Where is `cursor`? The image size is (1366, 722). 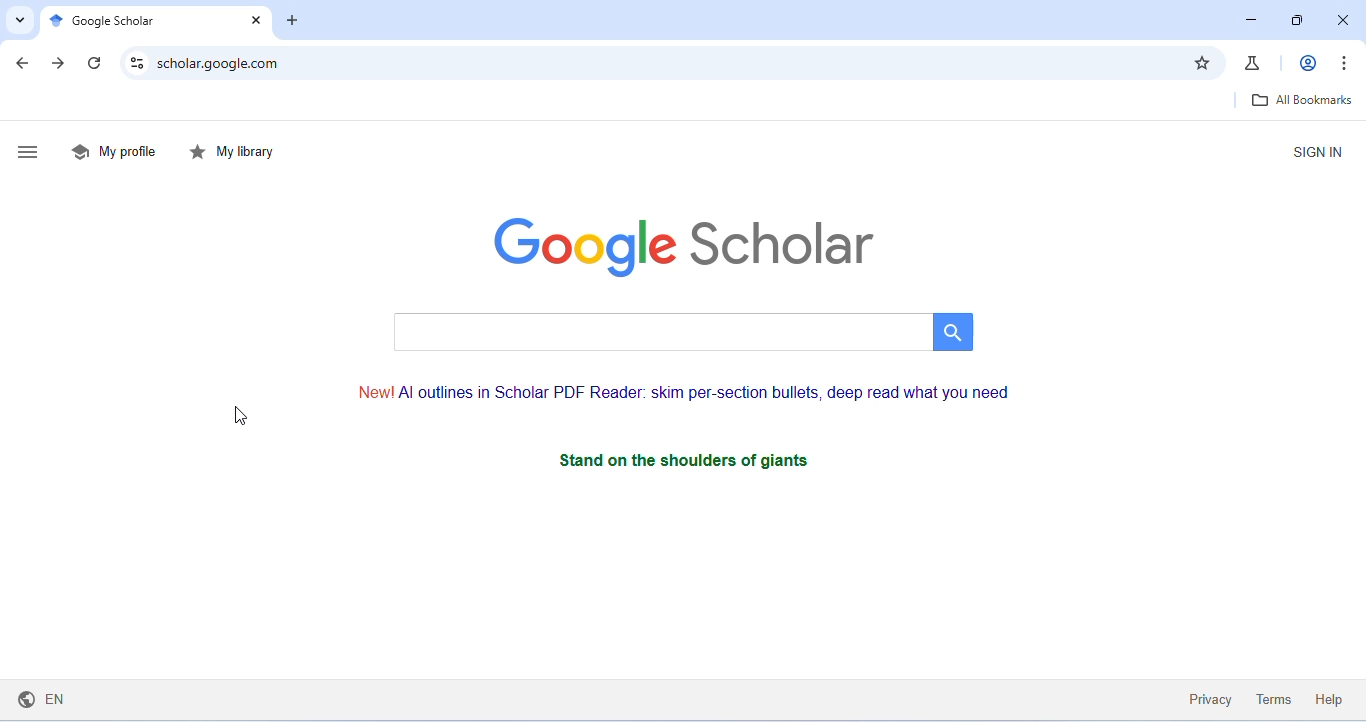
cursor is located at coordinates (239, 417).